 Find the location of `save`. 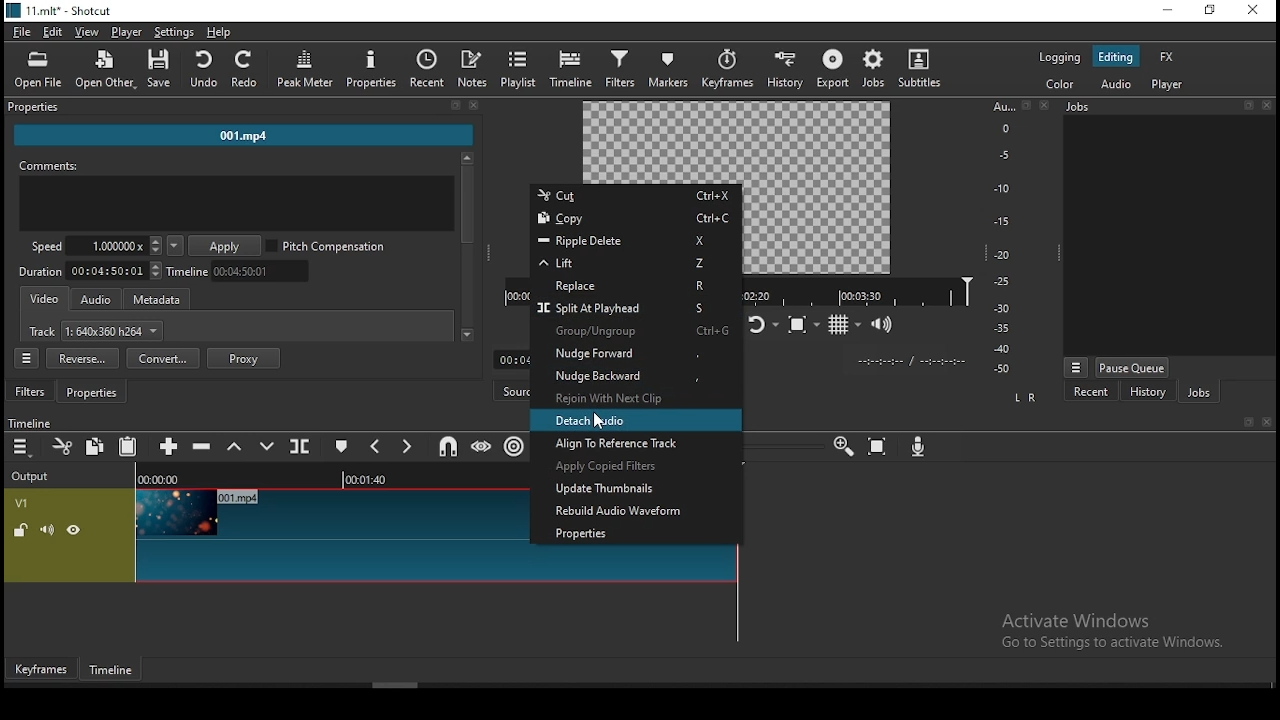

save is located at coordinates (163, 68).